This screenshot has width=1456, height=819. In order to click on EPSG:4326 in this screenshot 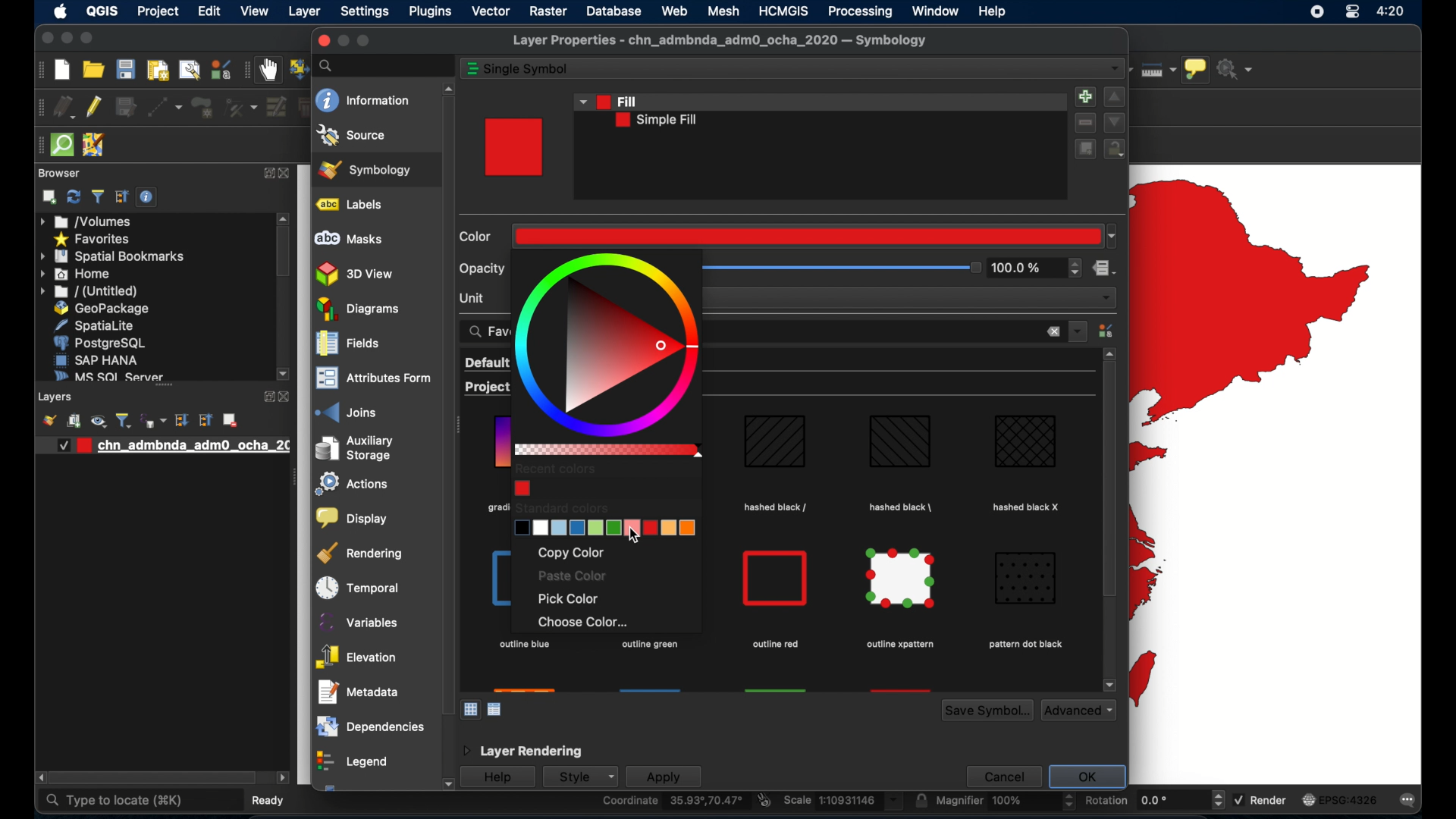, I will do `click(1340, 799)`.